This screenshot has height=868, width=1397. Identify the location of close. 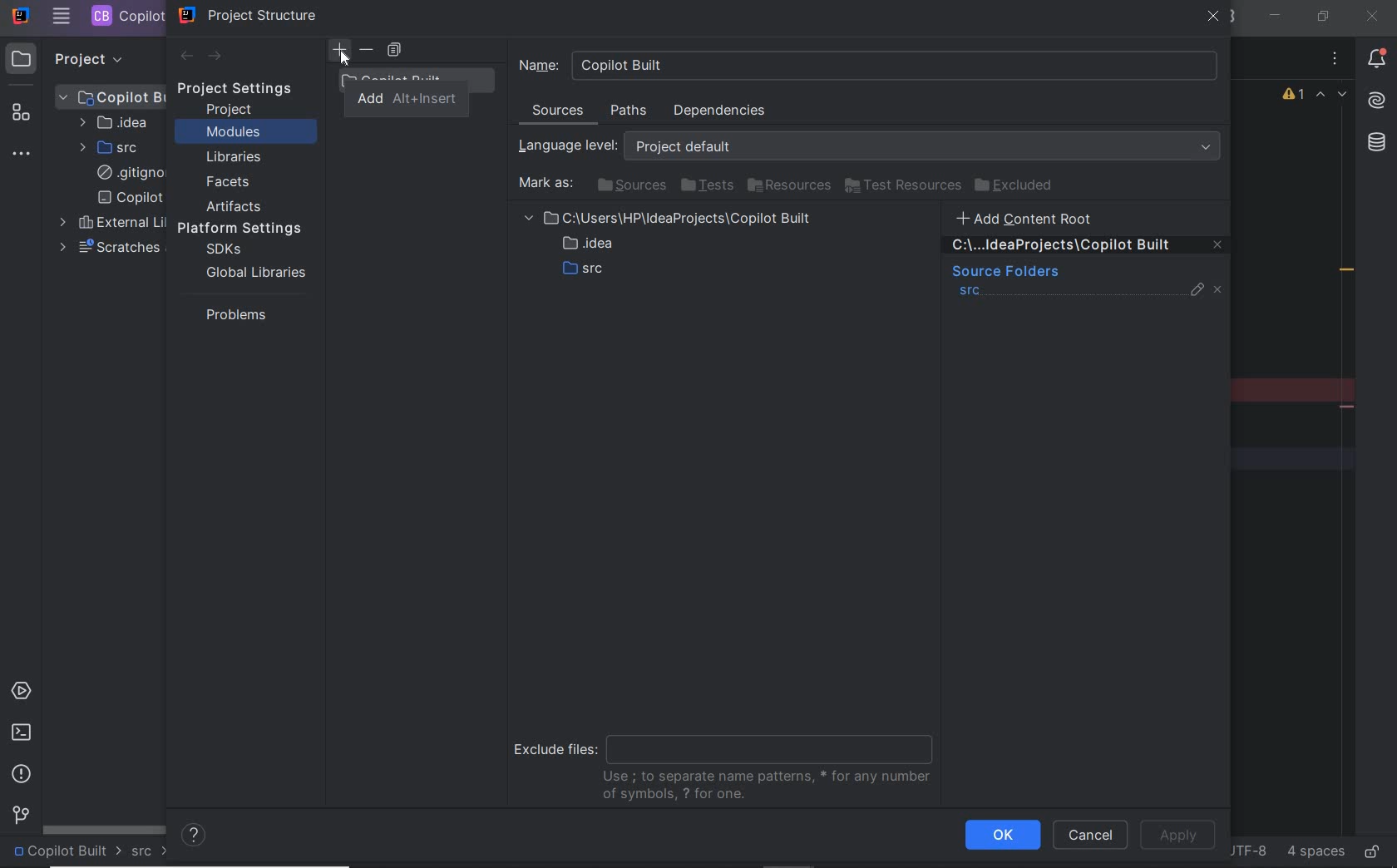
(1214, 18).